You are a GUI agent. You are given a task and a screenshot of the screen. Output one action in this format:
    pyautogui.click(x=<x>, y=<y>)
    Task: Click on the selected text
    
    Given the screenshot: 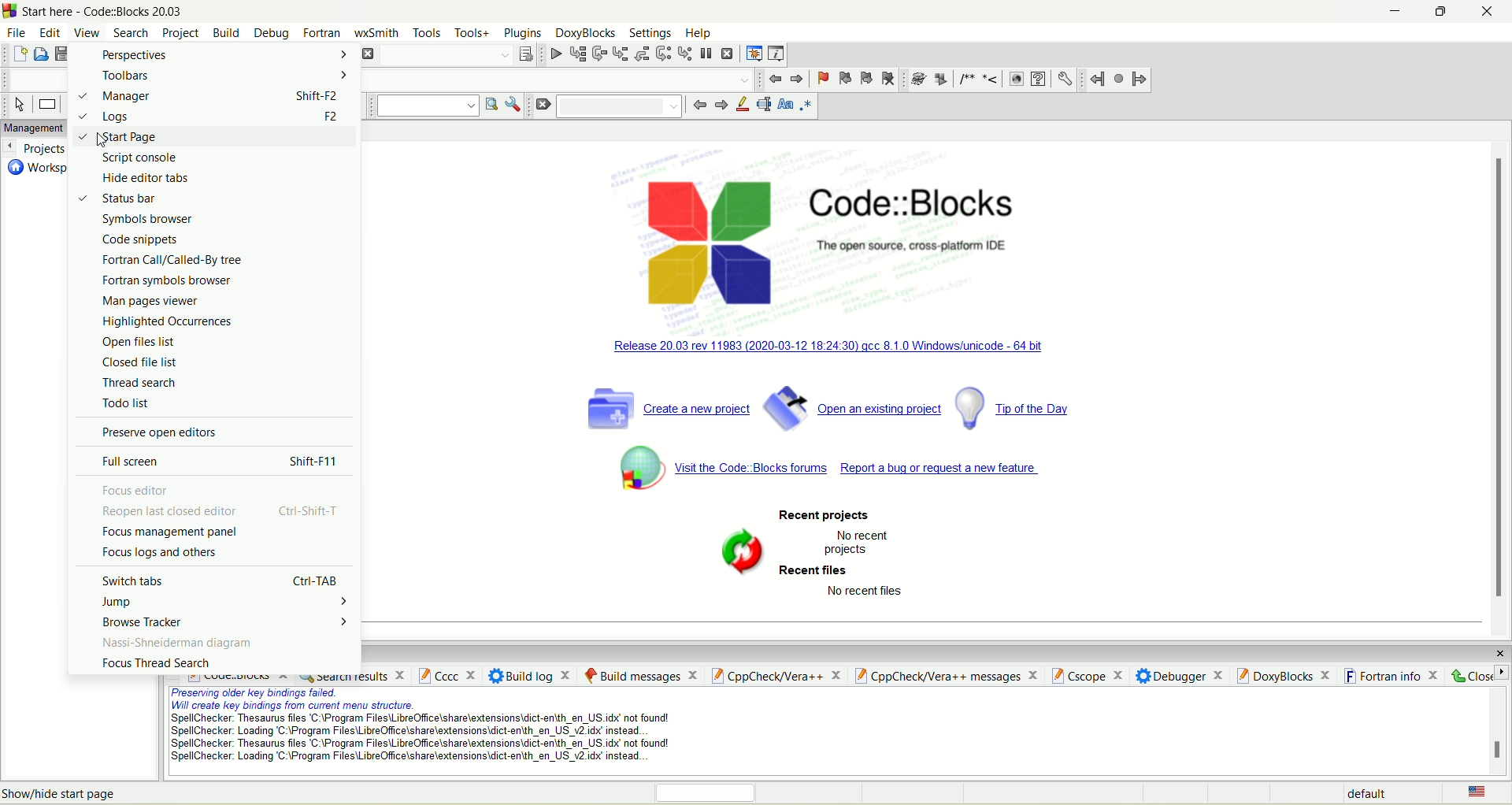 What is the action you would take?
    pyautogui.click(x=763, y=107)
    